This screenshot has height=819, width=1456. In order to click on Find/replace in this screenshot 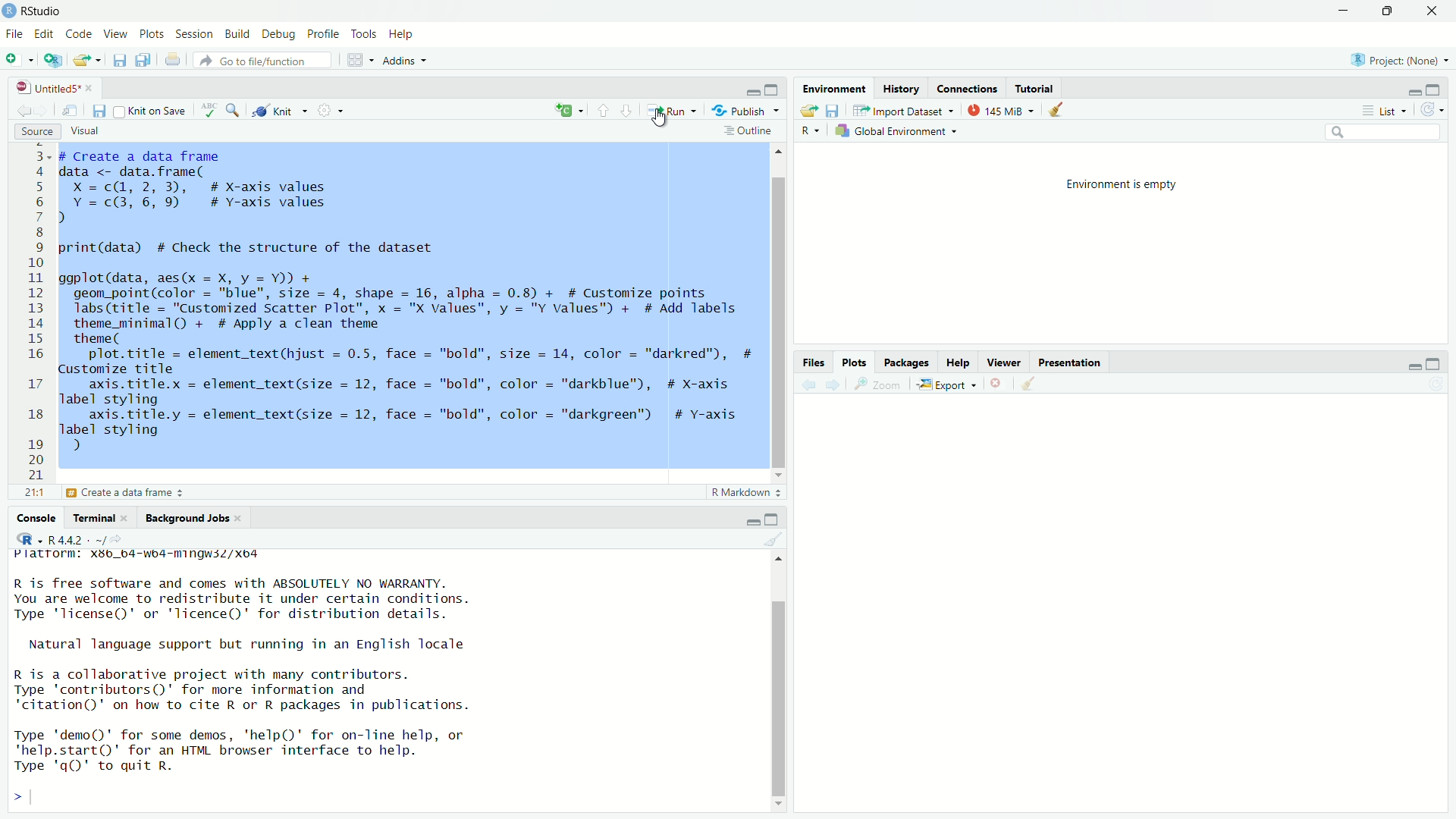, I will do `click(235, 112)`.